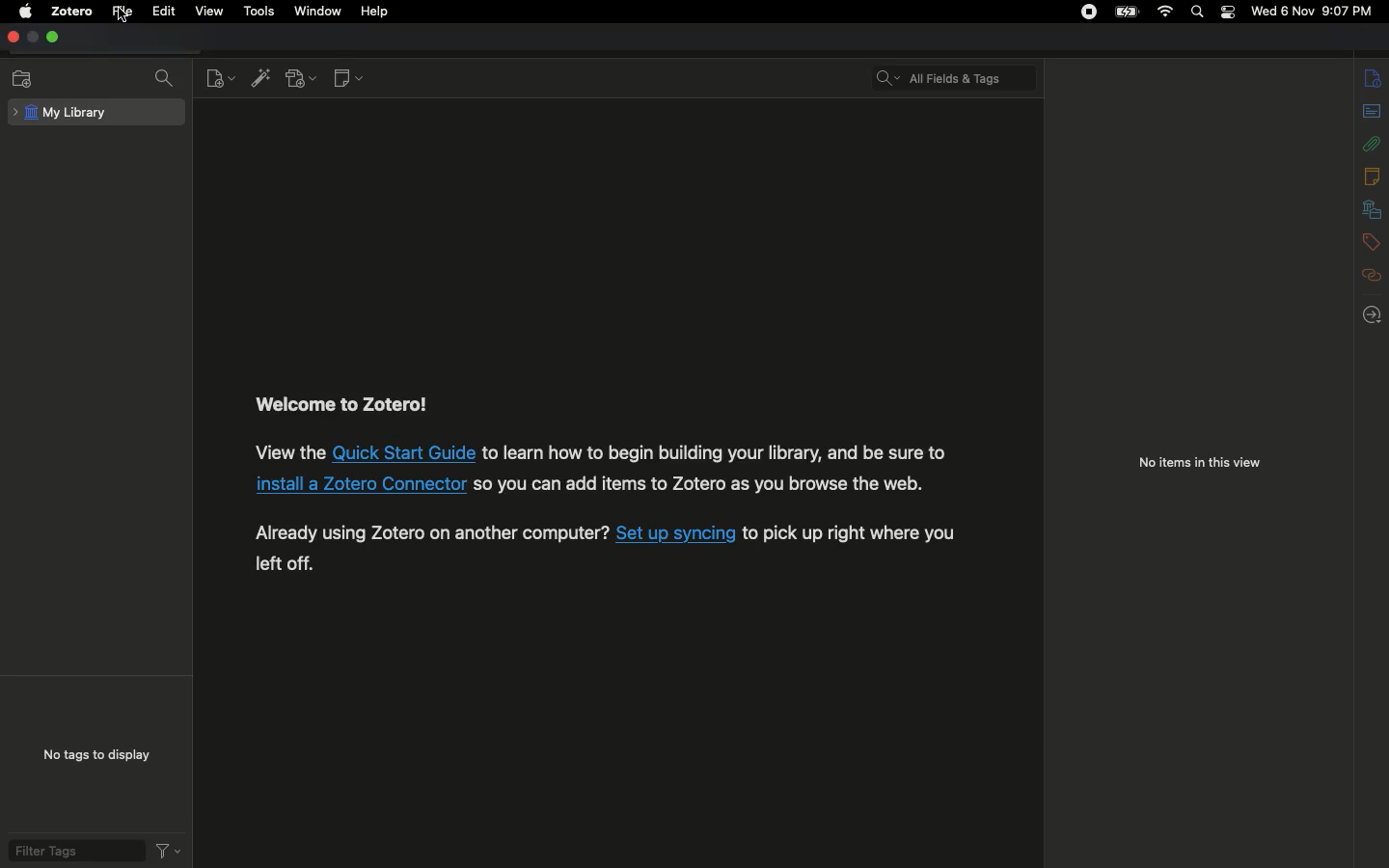 The image size is (1389, 868). I want to click on Close, so click(12, 38).